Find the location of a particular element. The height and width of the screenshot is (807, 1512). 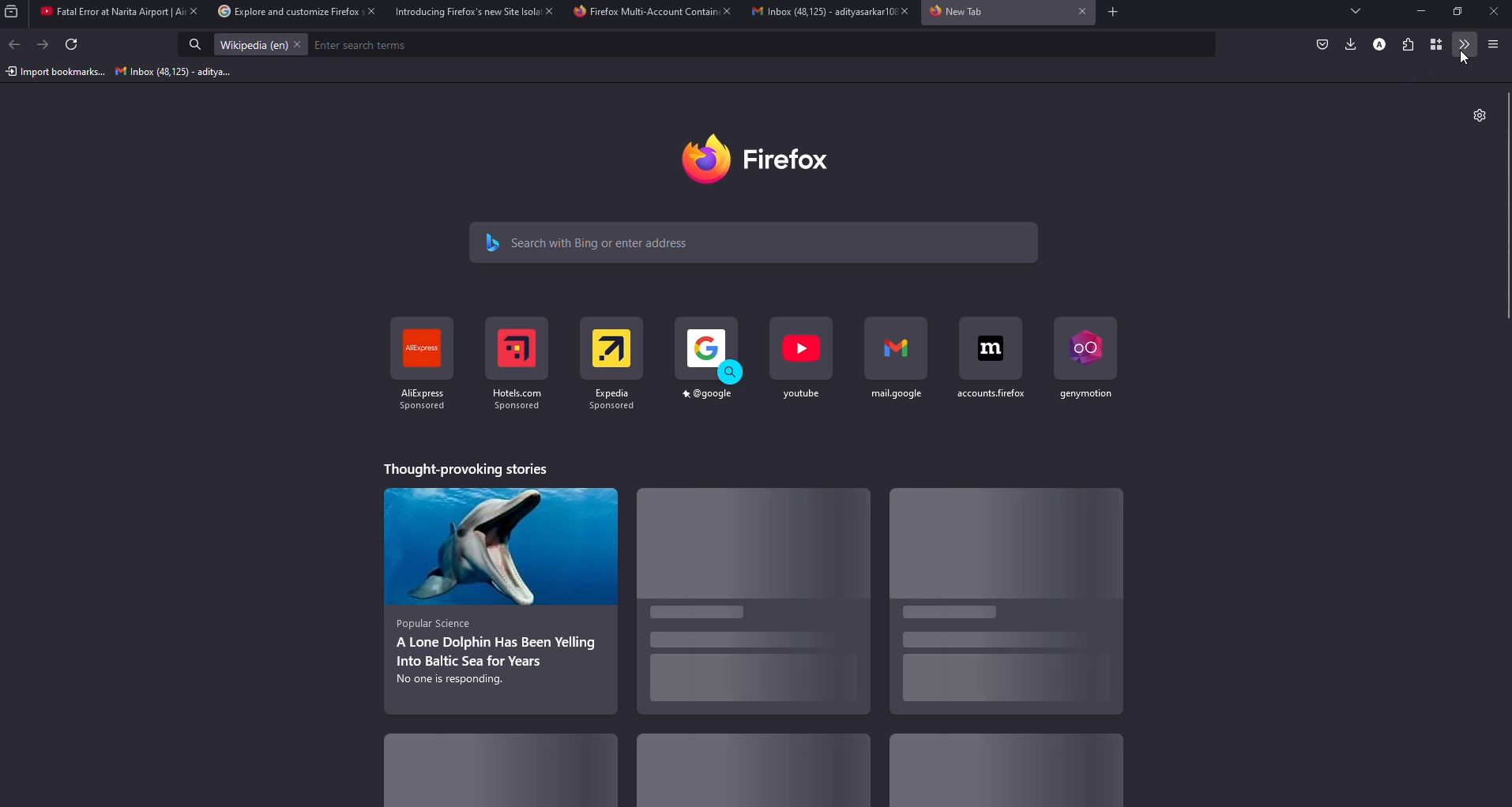

downloads is located at coordinates (1348, 43).